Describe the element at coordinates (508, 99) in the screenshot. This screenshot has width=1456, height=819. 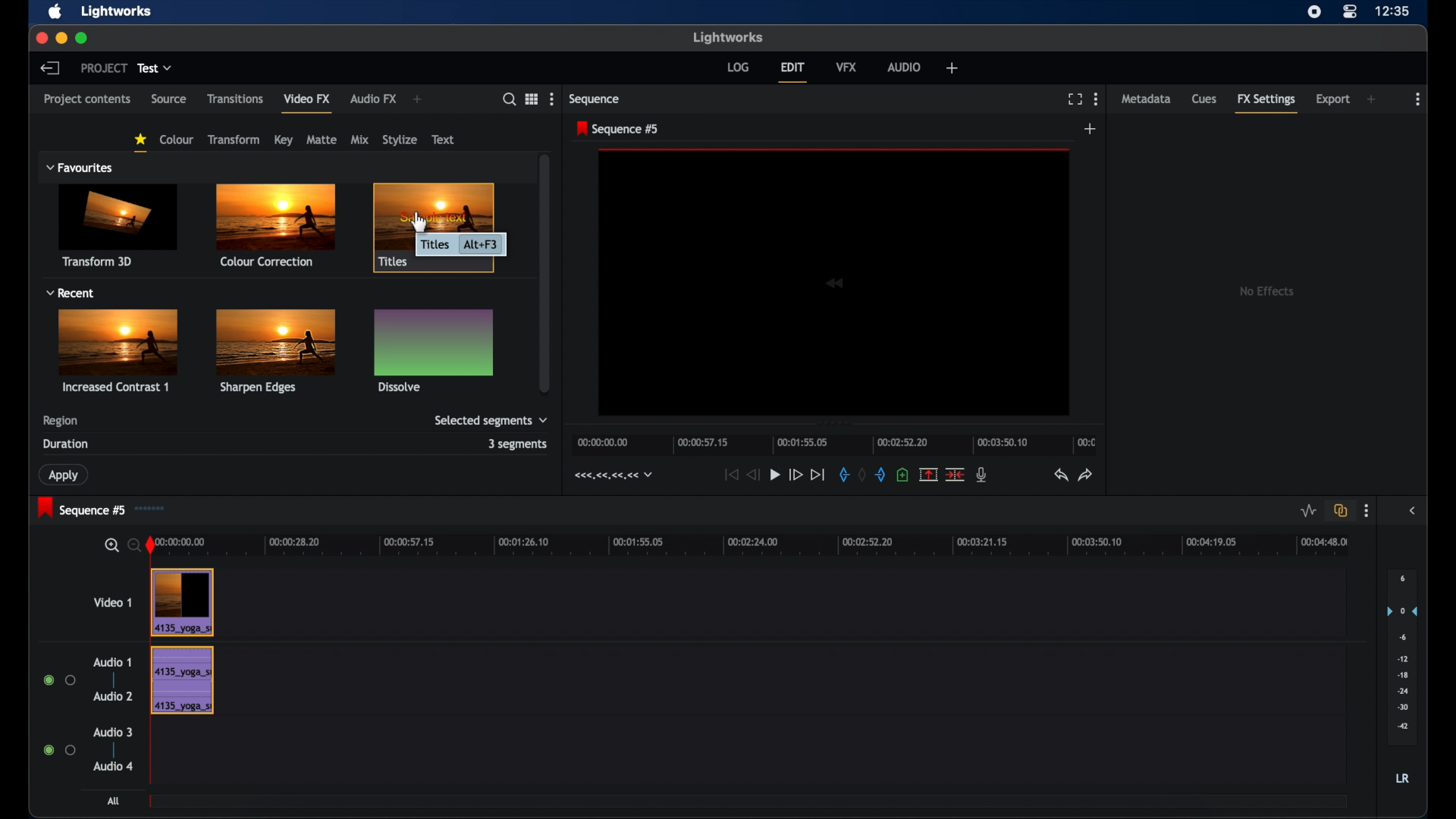
I see `search` at that location.